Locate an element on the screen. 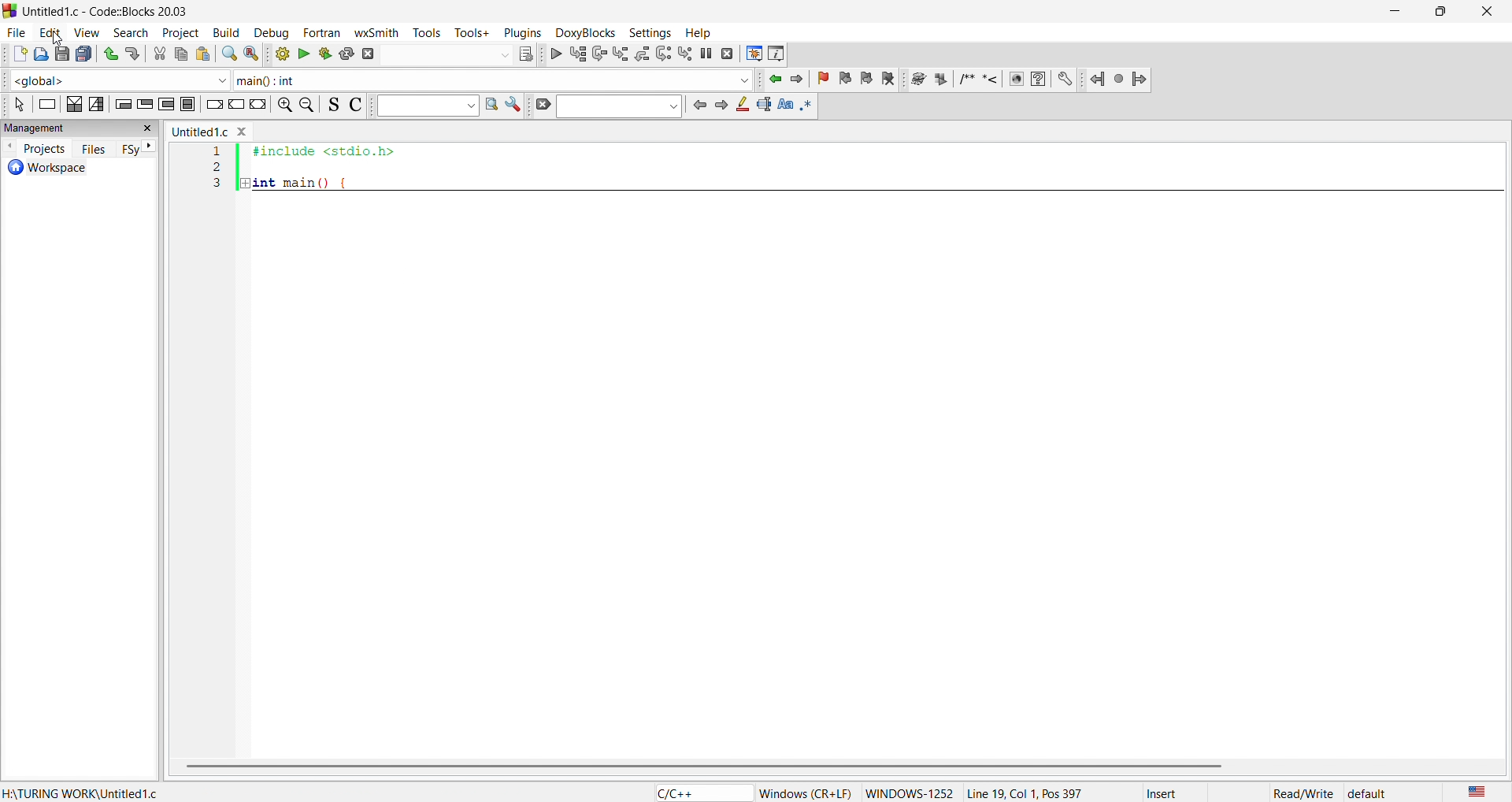 This screenshot has height=802, width=1512. next is located at coordinates (150, 147).